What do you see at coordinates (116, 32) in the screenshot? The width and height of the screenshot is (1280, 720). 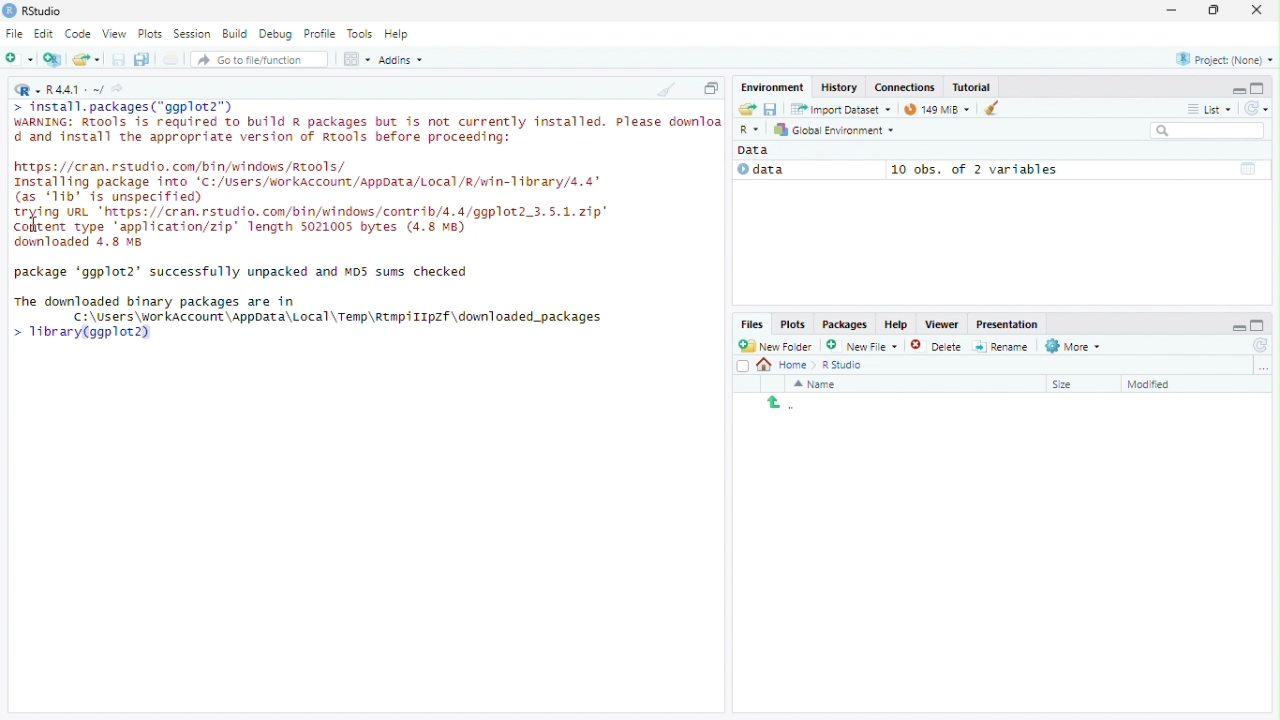 I see `View` at bounding box center [116, 32].